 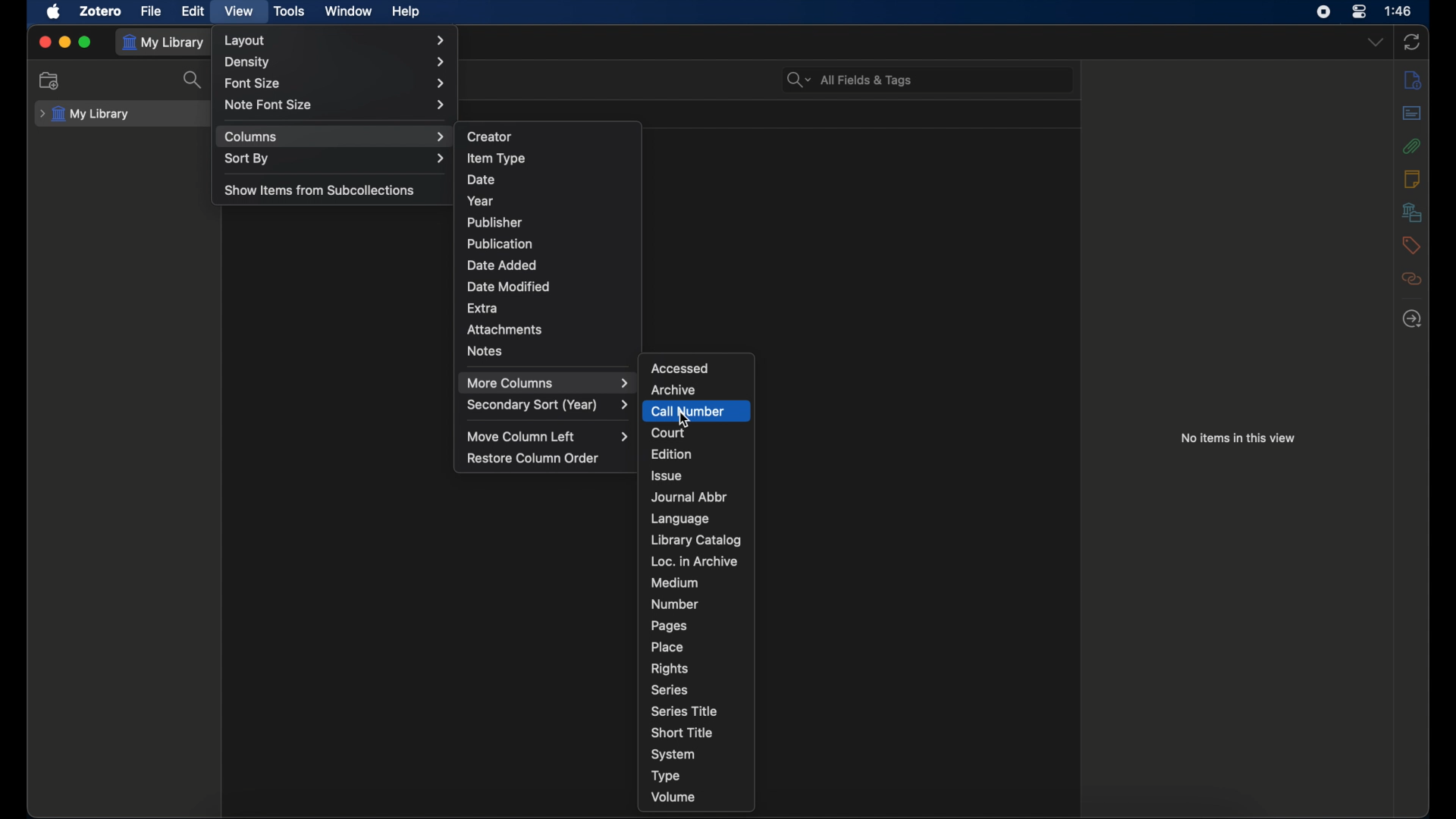 What do you see at coordinates (481, 178) in the screenshot?
I see `date` at bounding box center [481, 178].